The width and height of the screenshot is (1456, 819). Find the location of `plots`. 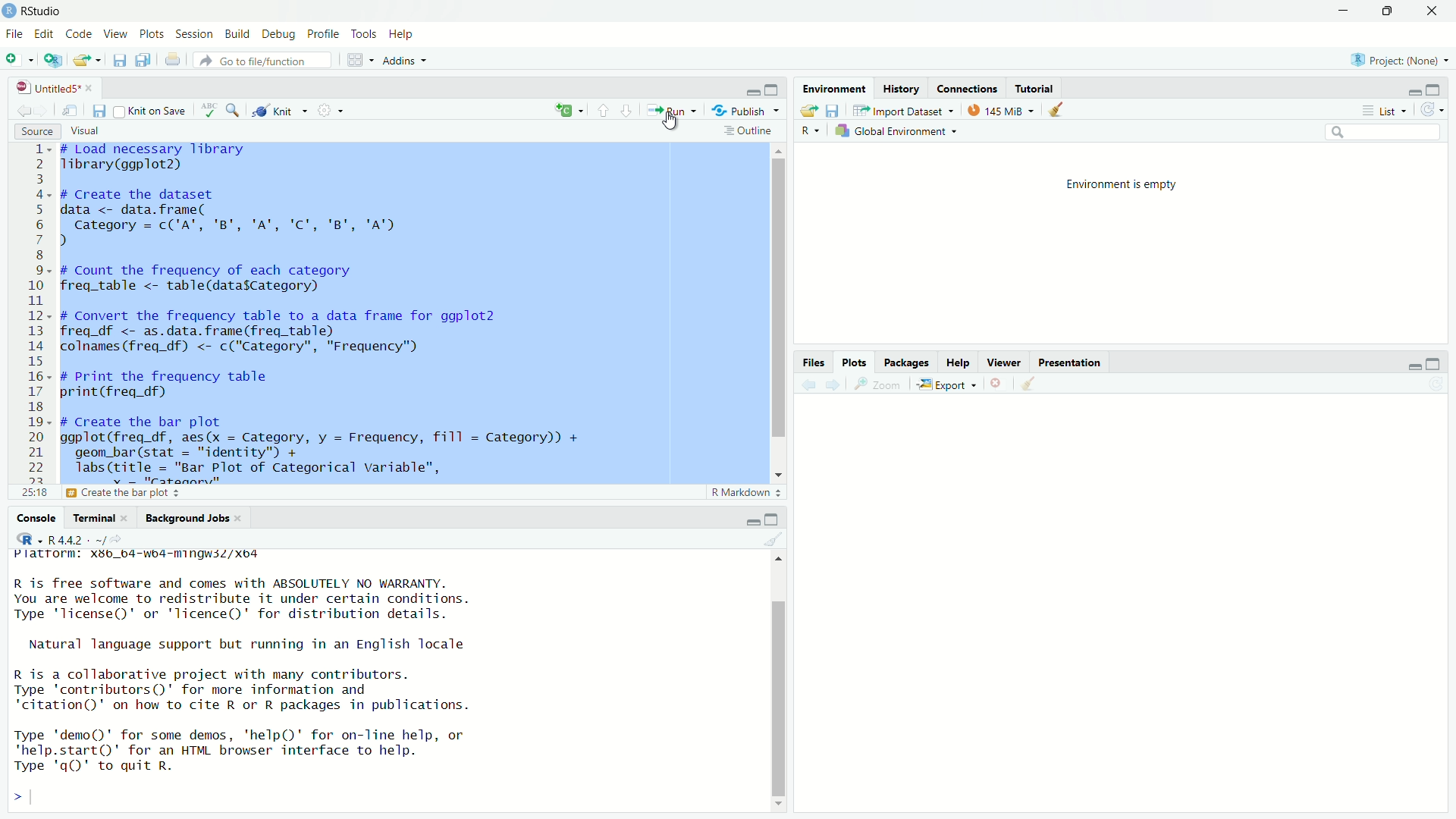

plots is located at coordinates (855, 362).